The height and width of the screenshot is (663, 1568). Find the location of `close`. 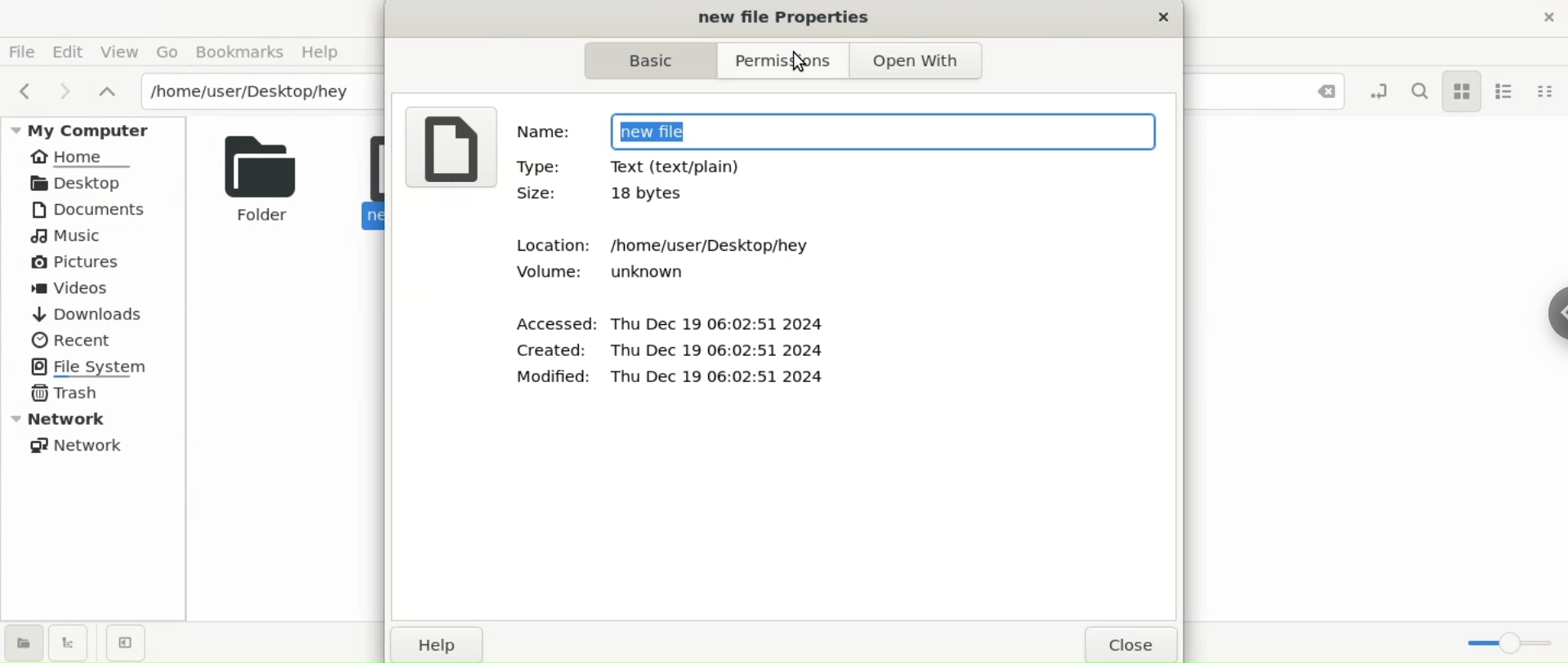

close is located at coordinates (1550, 22).